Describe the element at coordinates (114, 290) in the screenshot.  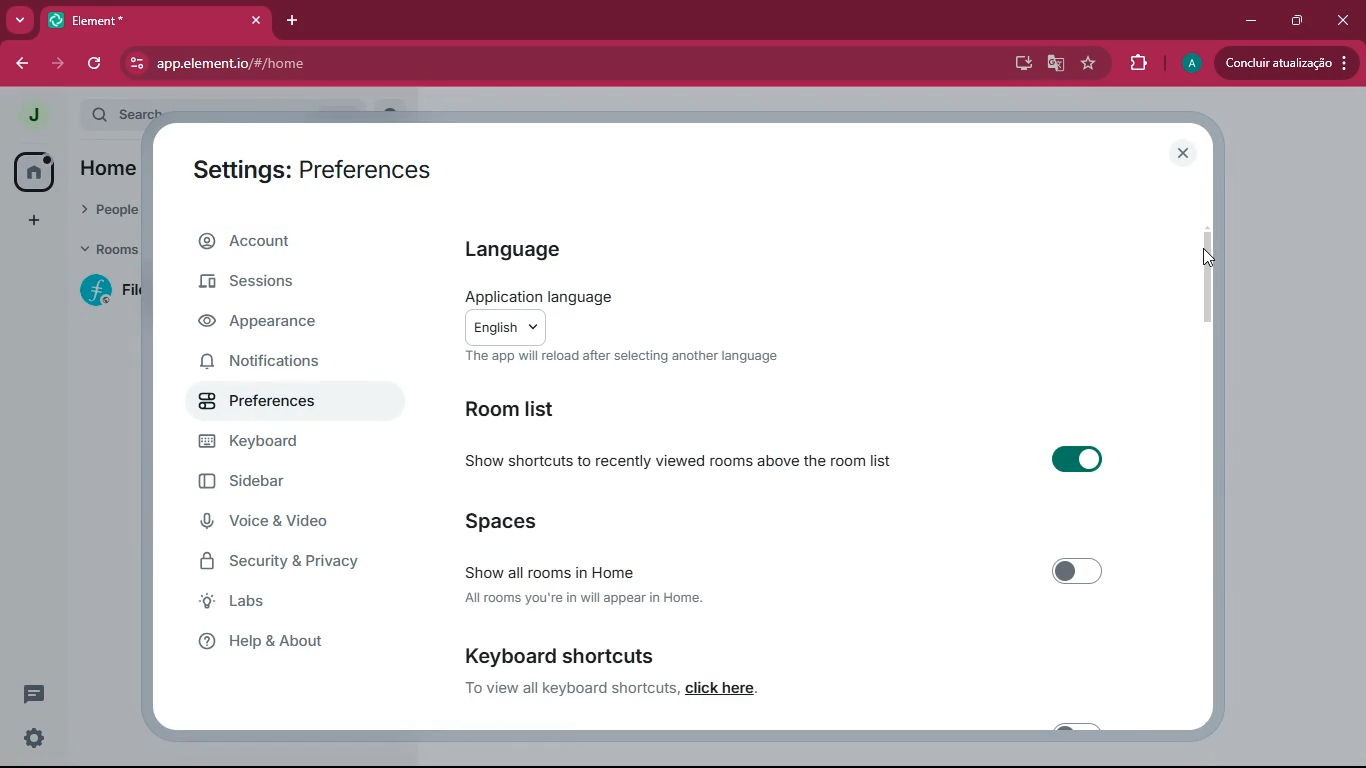
I see `file` at that location.